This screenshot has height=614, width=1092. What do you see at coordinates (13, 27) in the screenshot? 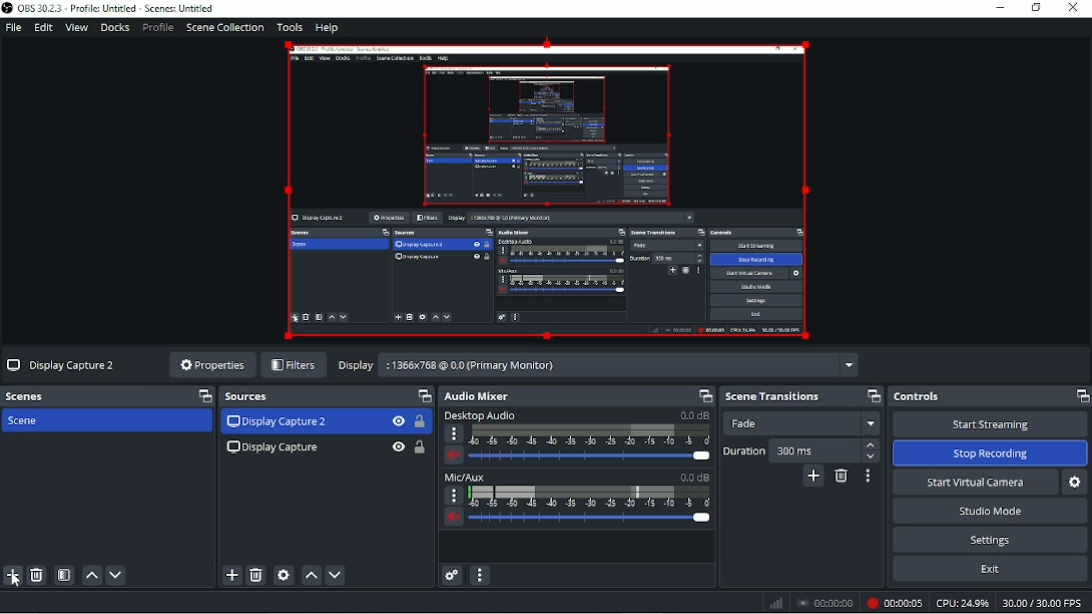
I see `File` at bounding box center [13, 27].